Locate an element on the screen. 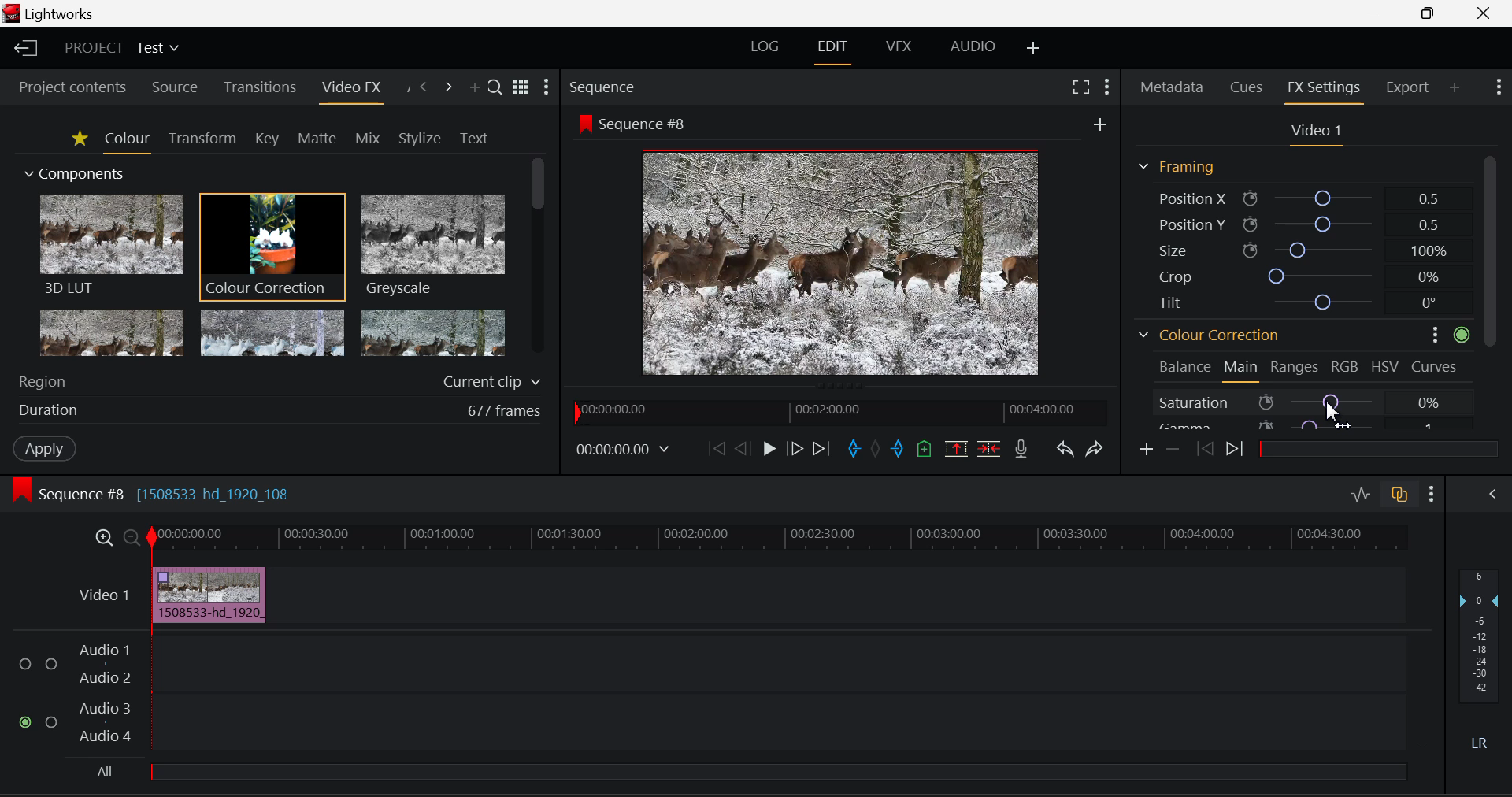 This screenshot has width=1512, height=797. Favorites is located at coordinates (77, 139).